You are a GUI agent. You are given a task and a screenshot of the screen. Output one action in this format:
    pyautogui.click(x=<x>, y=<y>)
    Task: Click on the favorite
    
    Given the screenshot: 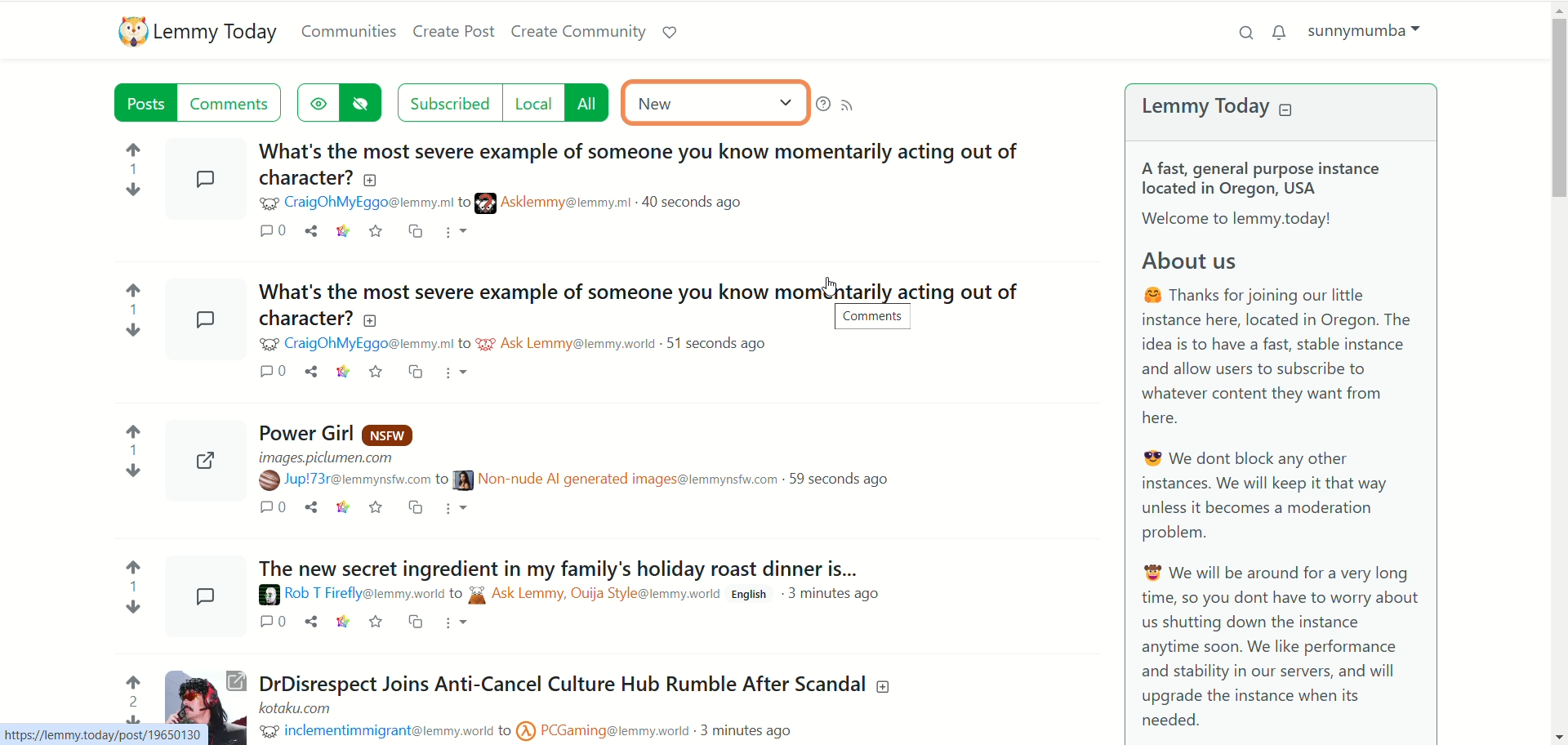 What is the action you would take?
    pyautogui.click(x=377, y=624)
    